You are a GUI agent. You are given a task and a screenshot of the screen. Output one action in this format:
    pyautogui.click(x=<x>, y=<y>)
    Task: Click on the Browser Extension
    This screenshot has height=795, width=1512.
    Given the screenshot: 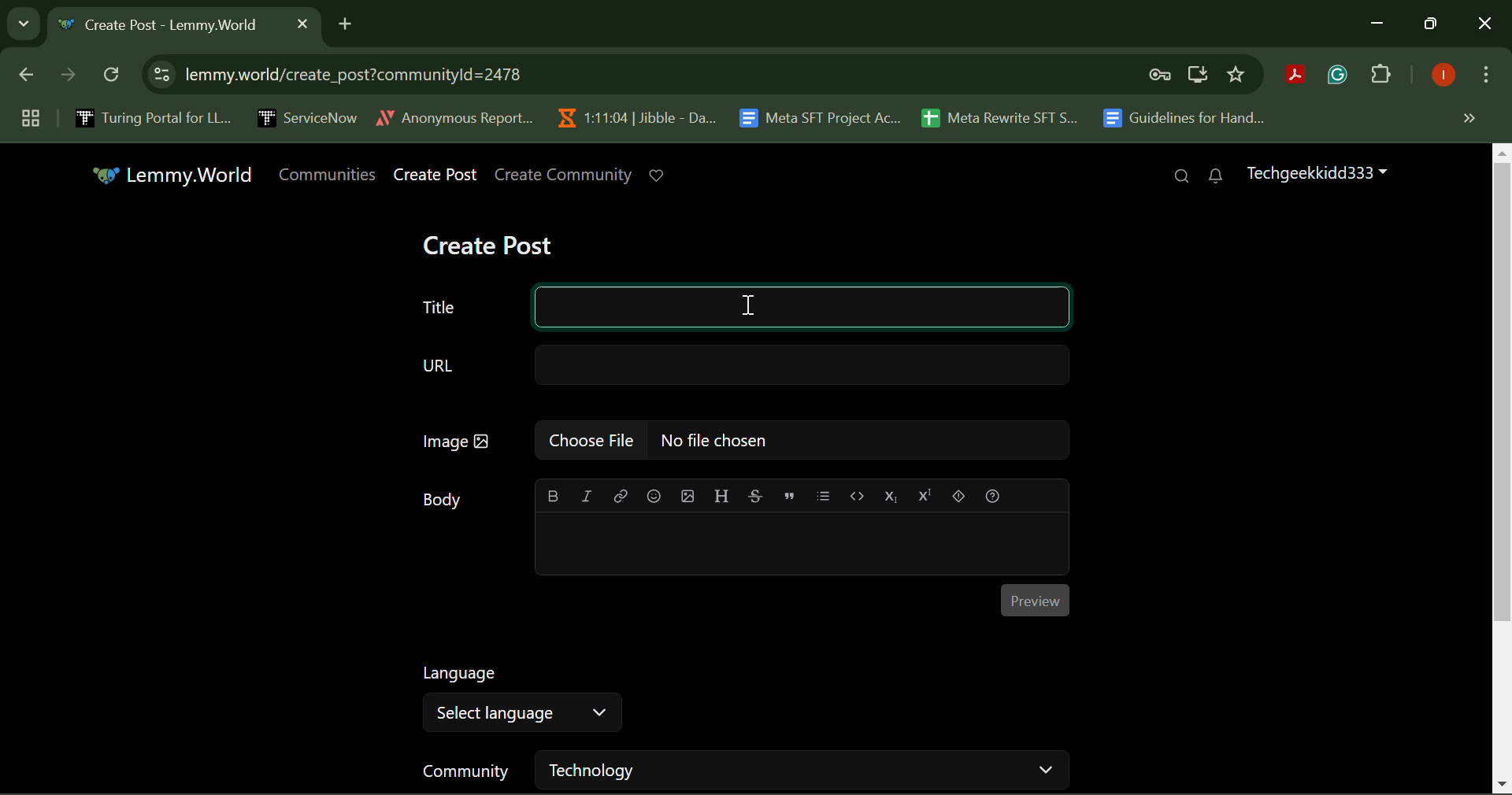 What is the action you would take?
    pyautogui.click(x=1341, y=76)
    